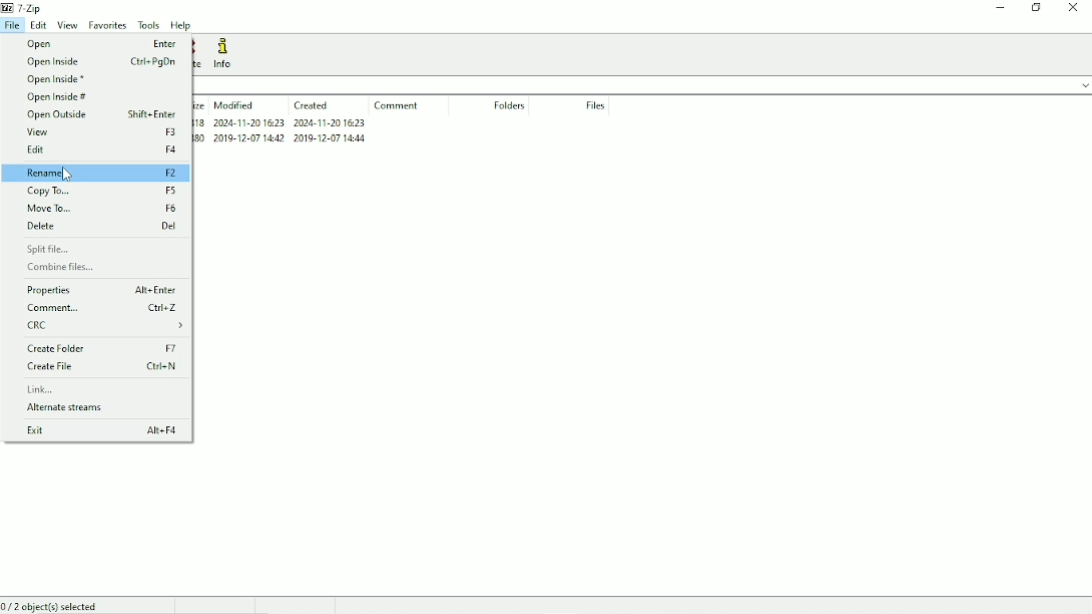  I want to click on Create File, so click(101, 366).